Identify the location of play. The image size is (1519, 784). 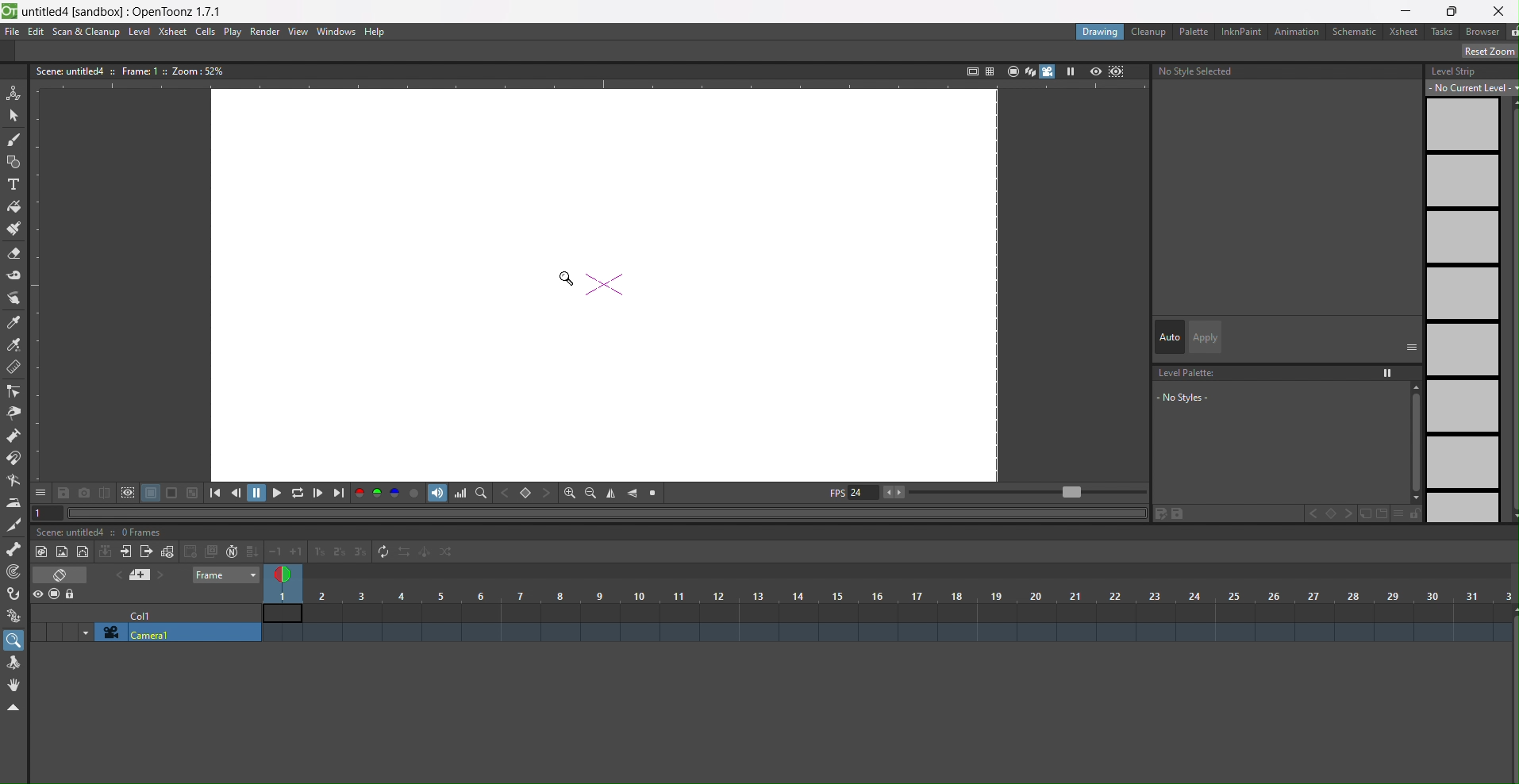
(1073, 71).